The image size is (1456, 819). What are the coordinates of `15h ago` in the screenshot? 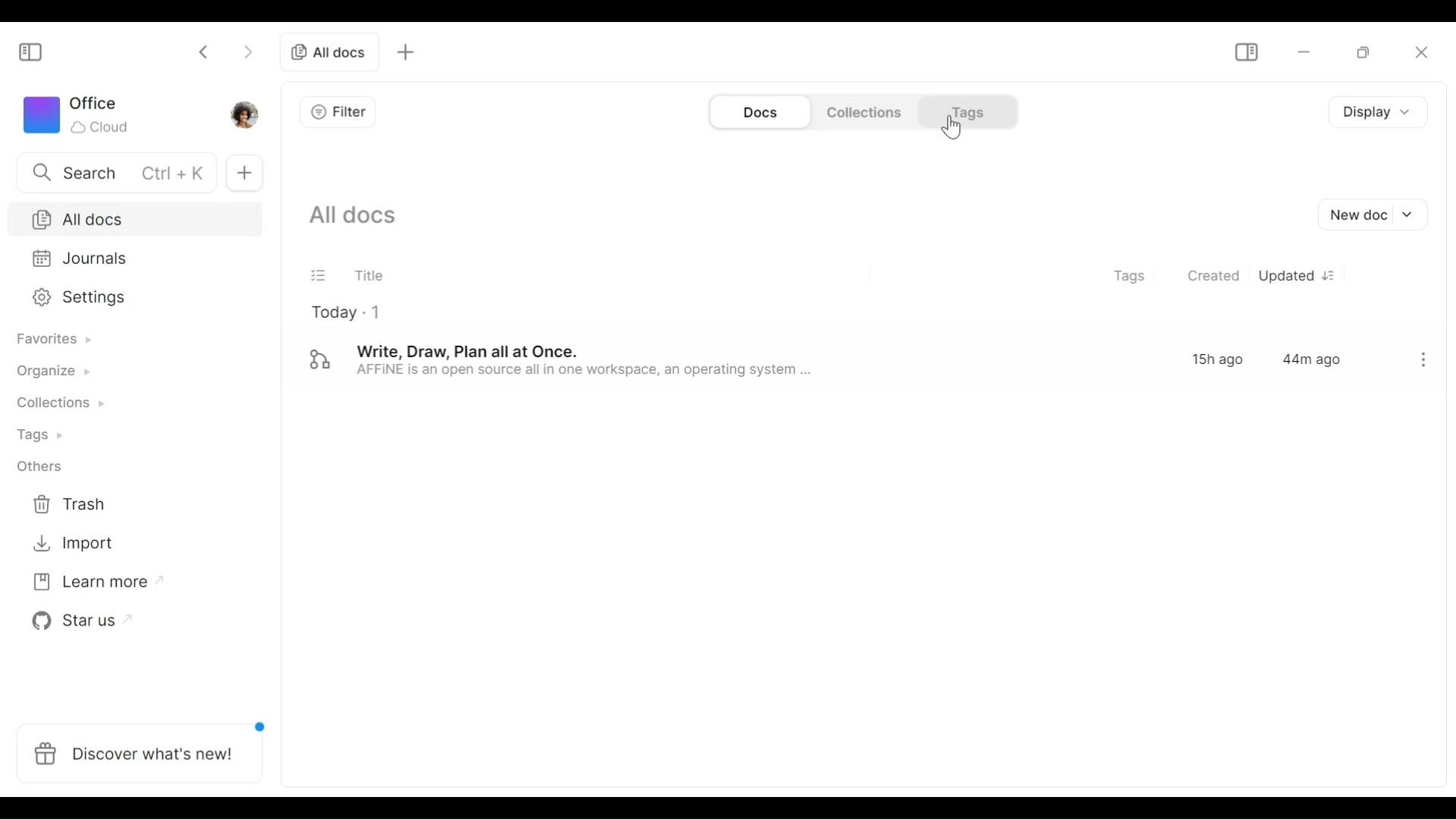 It's located at (1217, 359).